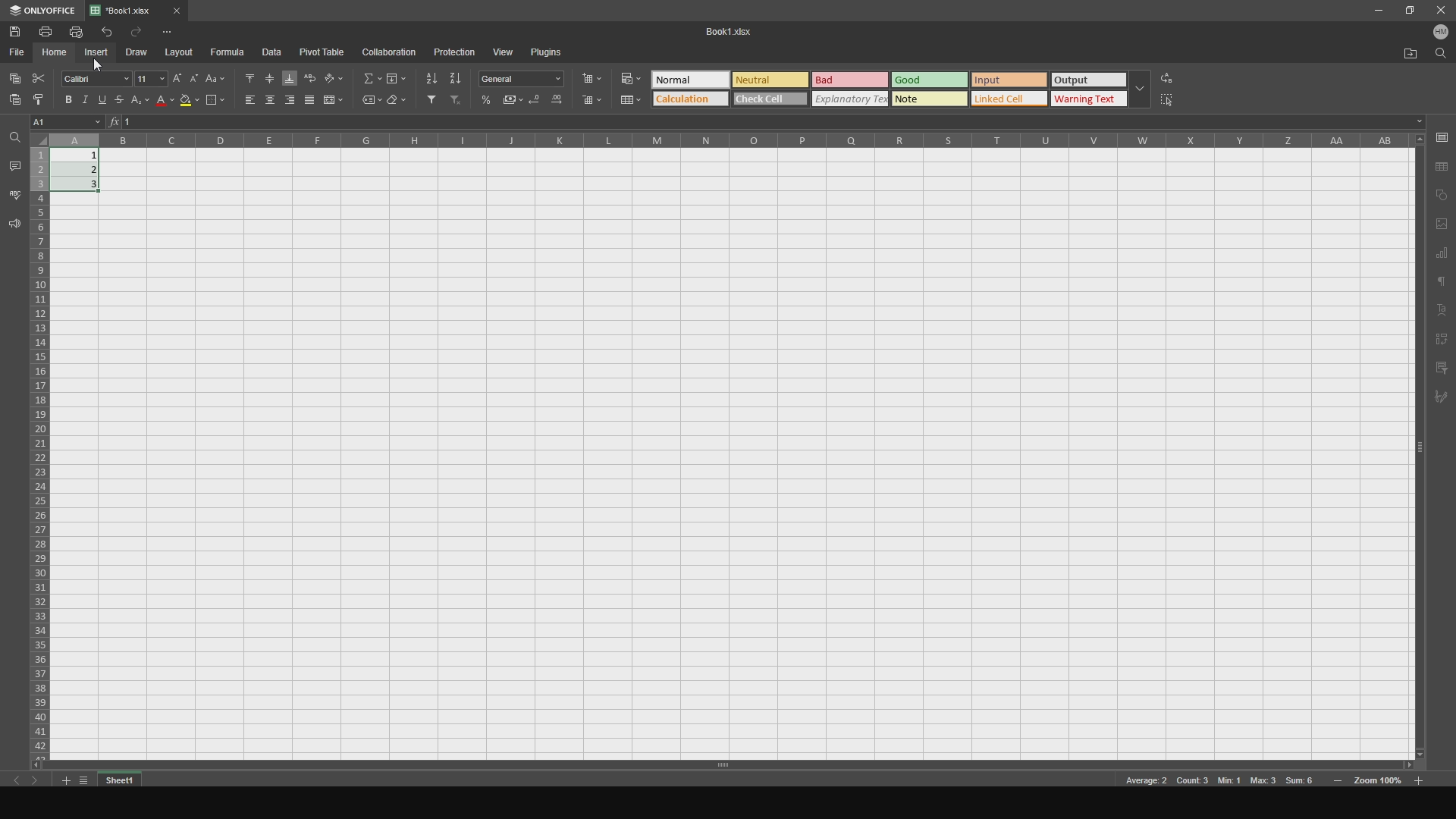 The image size is (1456, 819). Describe the element at coordinates (14, 194) in the screenshot. I see `spell checking` at that location.